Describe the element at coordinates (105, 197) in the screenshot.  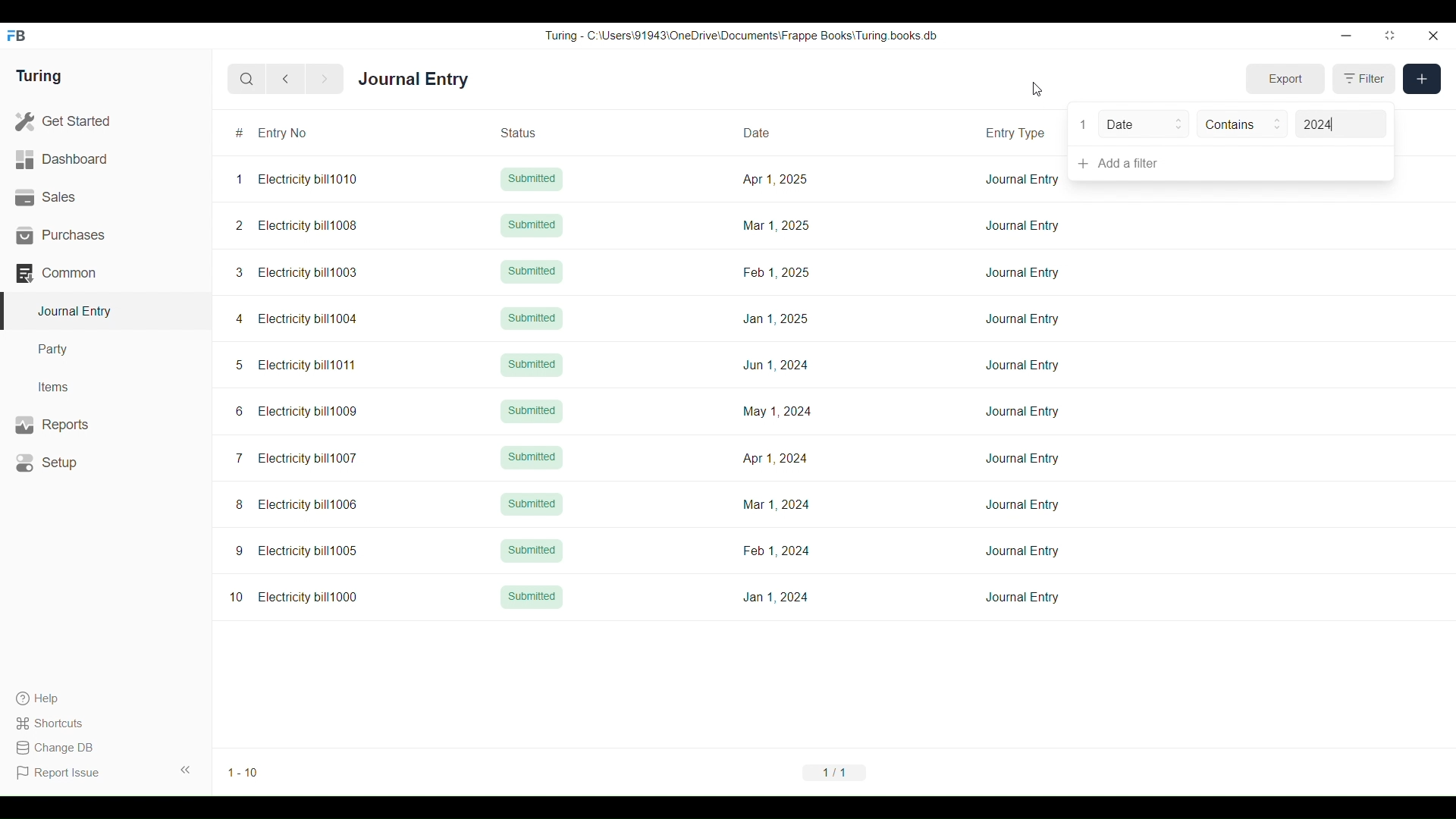
I see `Sales` at that location.